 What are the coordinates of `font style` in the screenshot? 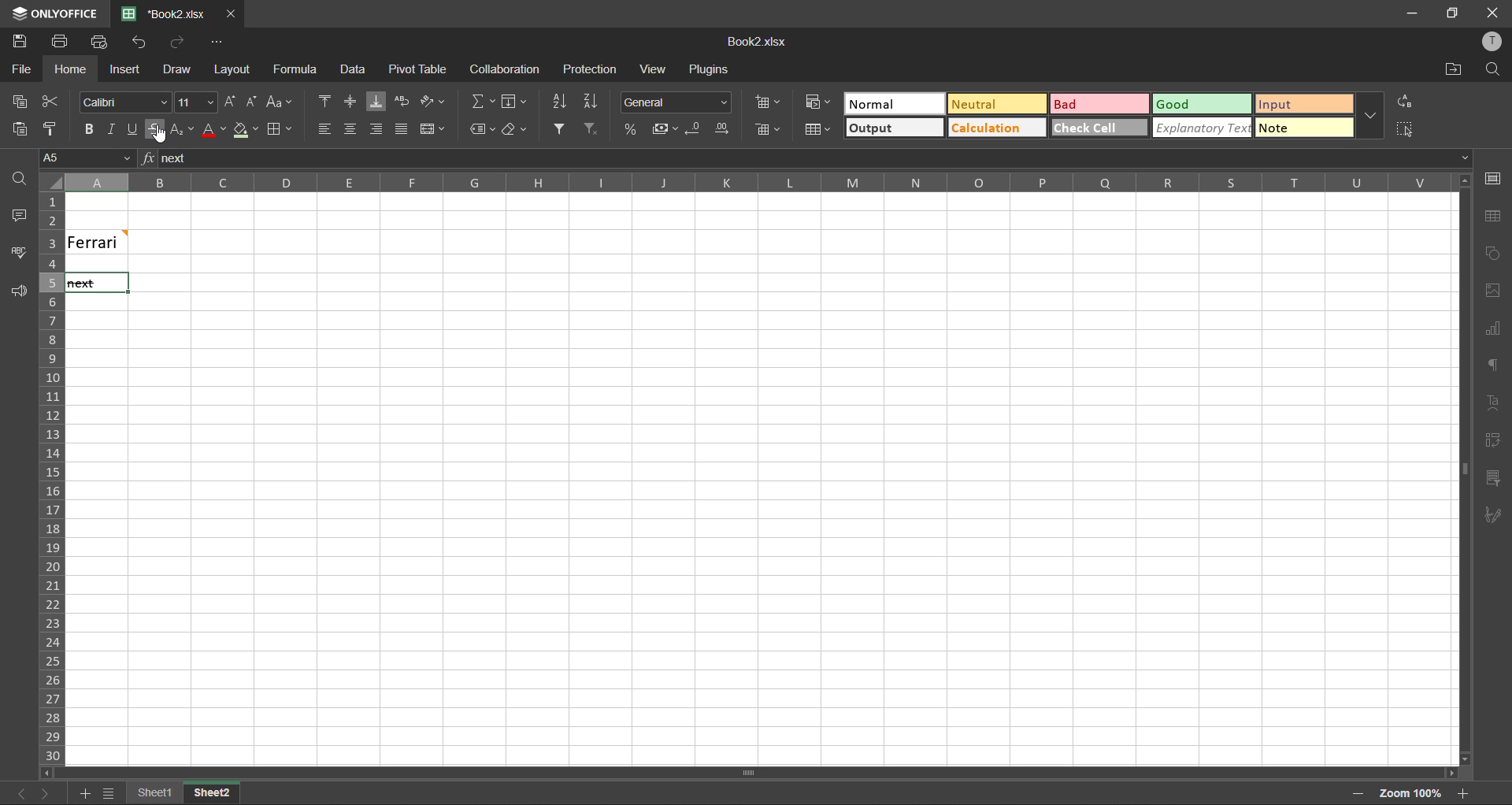 It's located at (124, 102).